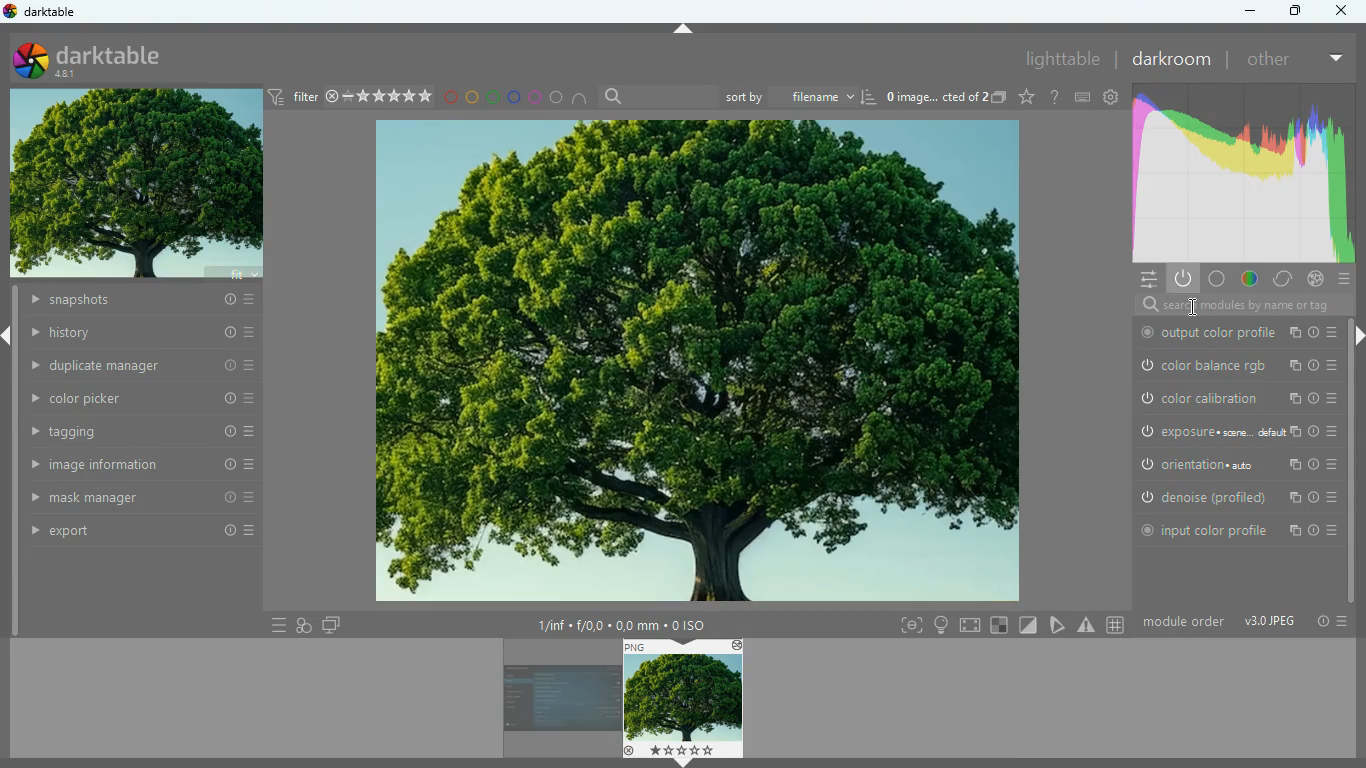 This screenshot has width=1366, height=768. I want to click on color picker, so click(143, 399).